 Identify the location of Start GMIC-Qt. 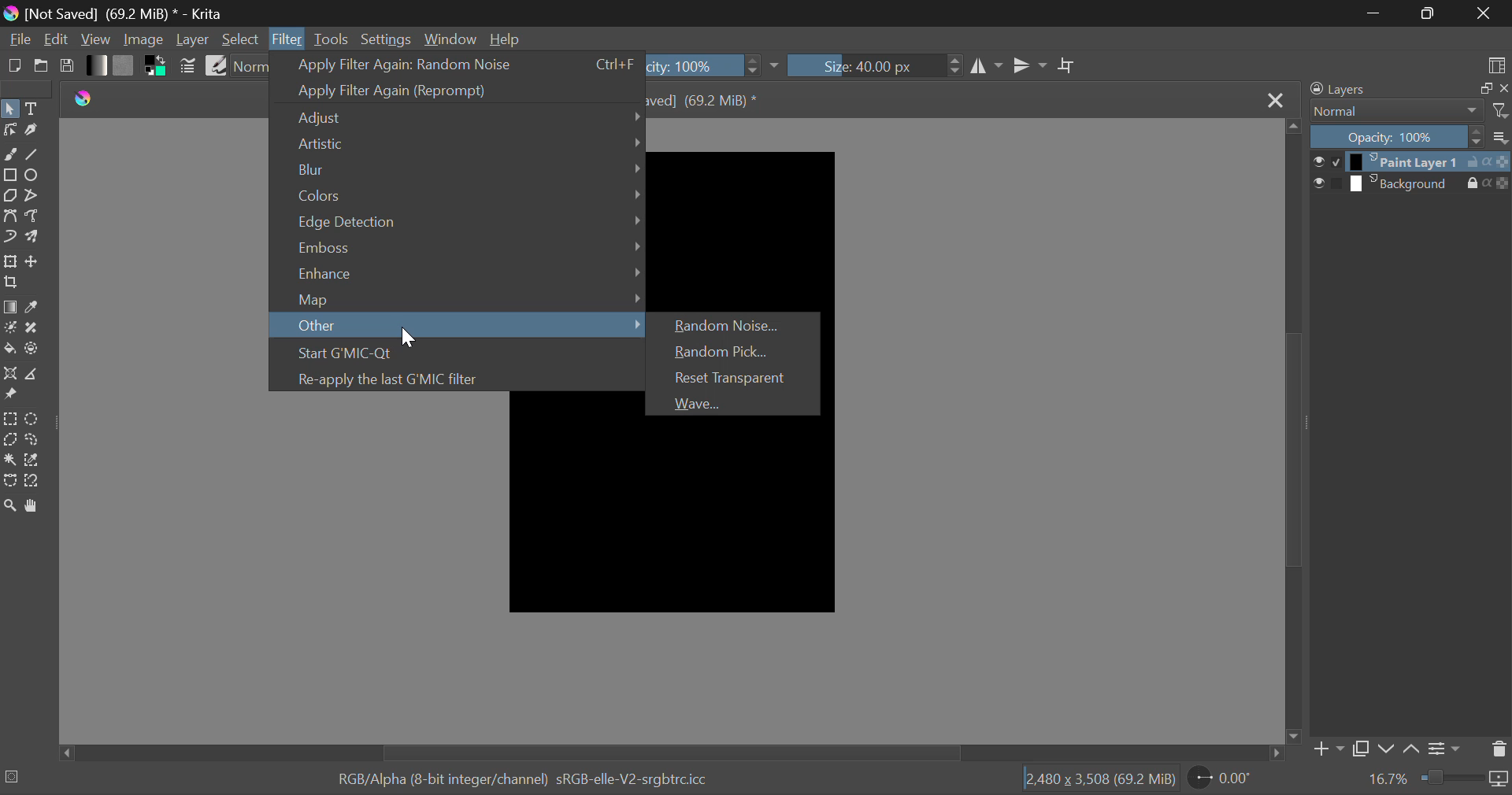
(454, 350).